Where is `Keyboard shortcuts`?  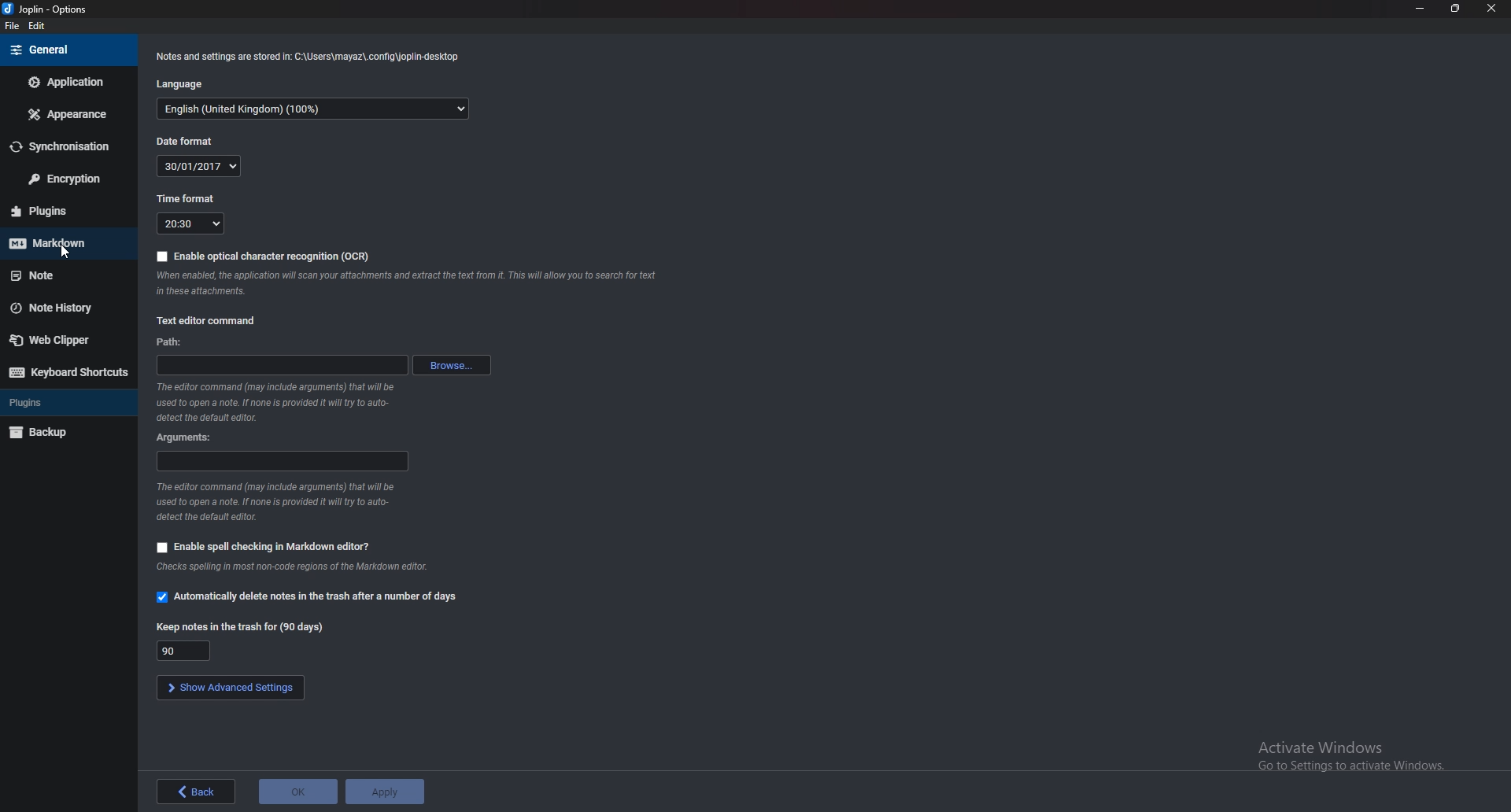 Keyboard shortcuts is located at coordinates (68, 374).